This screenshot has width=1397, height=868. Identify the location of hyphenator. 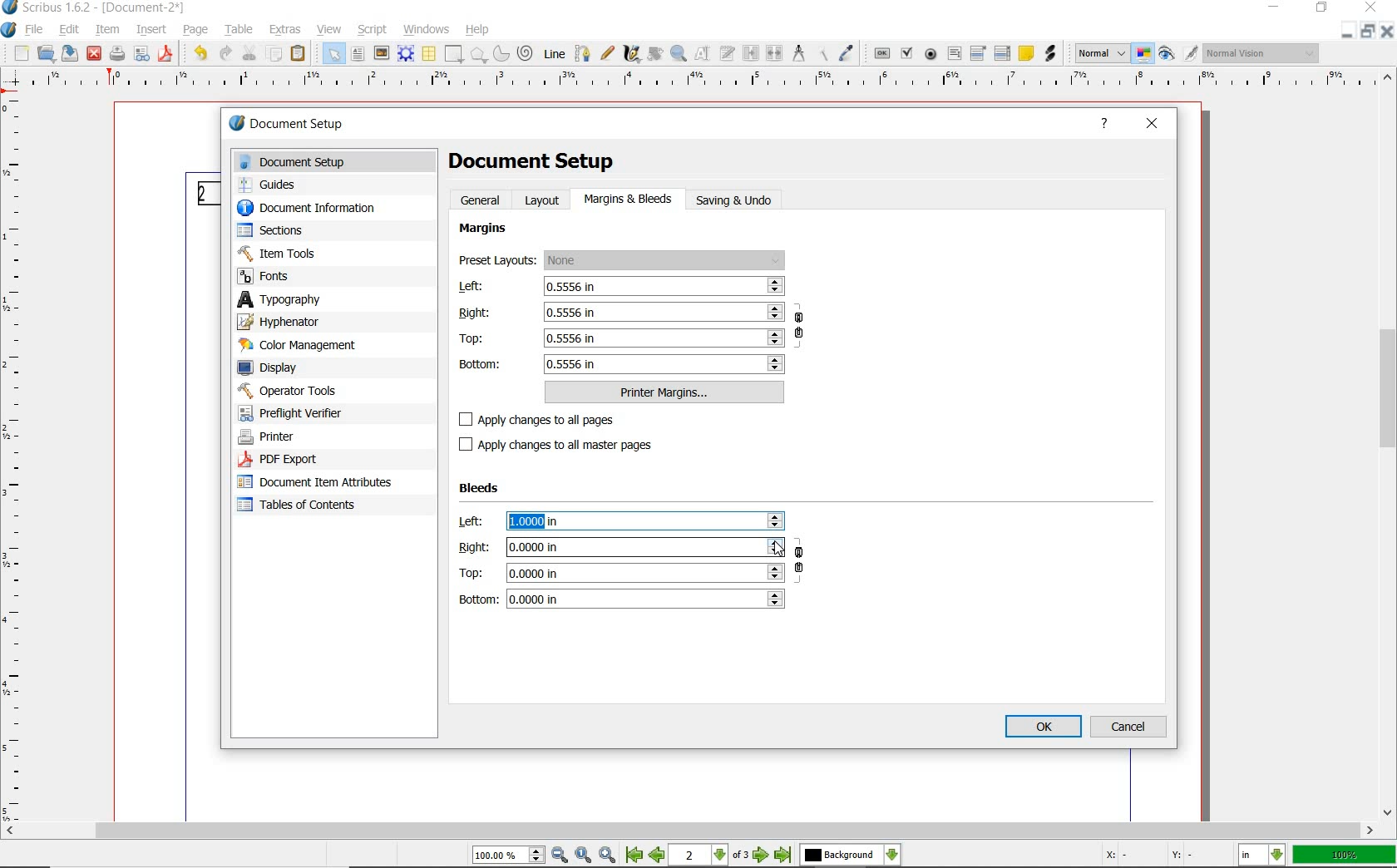
(284, 323).